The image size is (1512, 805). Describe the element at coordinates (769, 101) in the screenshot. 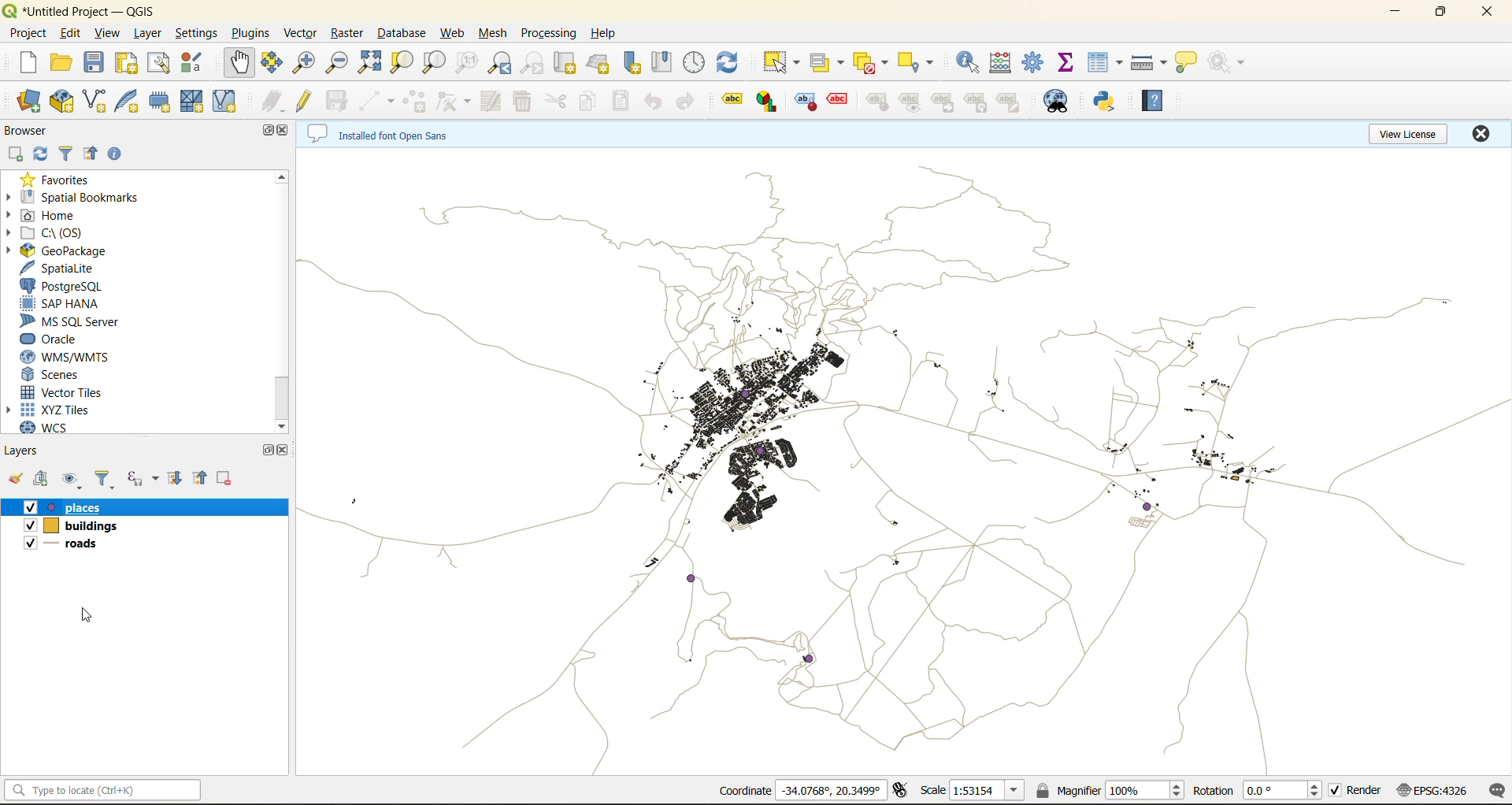

I see `label tool` at that location.